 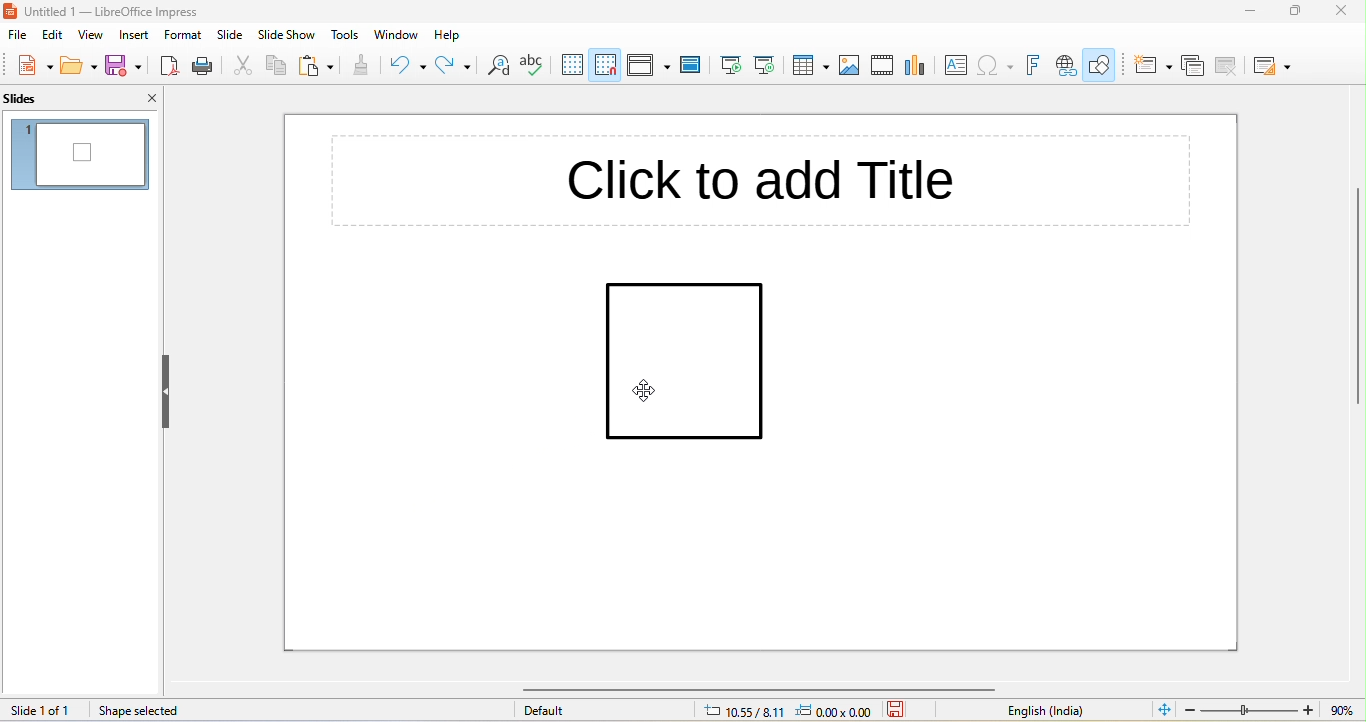 I want to click on shape selected, so click(x=143, y=712).